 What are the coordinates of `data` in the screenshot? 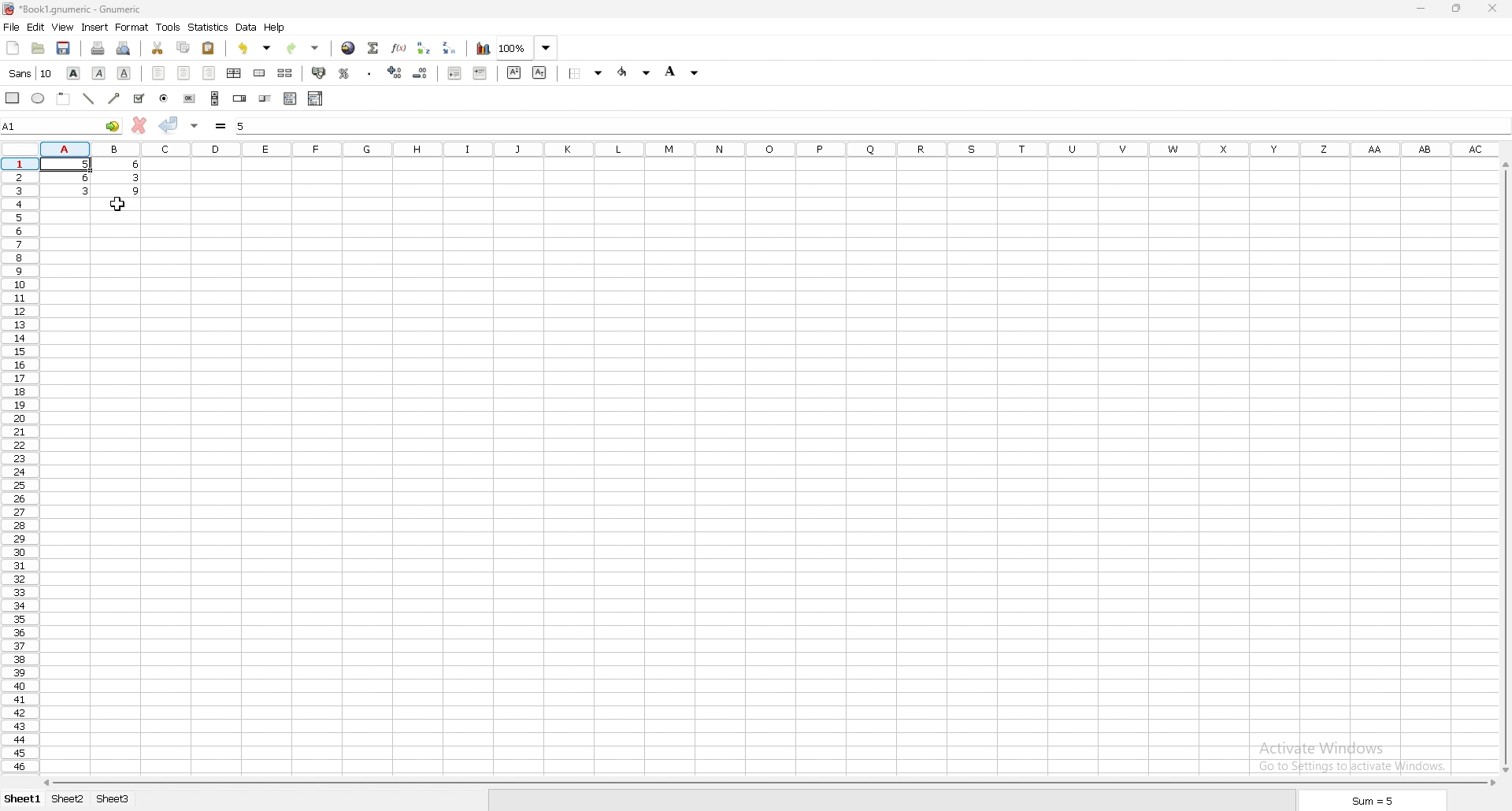 It's located at (246, 28).